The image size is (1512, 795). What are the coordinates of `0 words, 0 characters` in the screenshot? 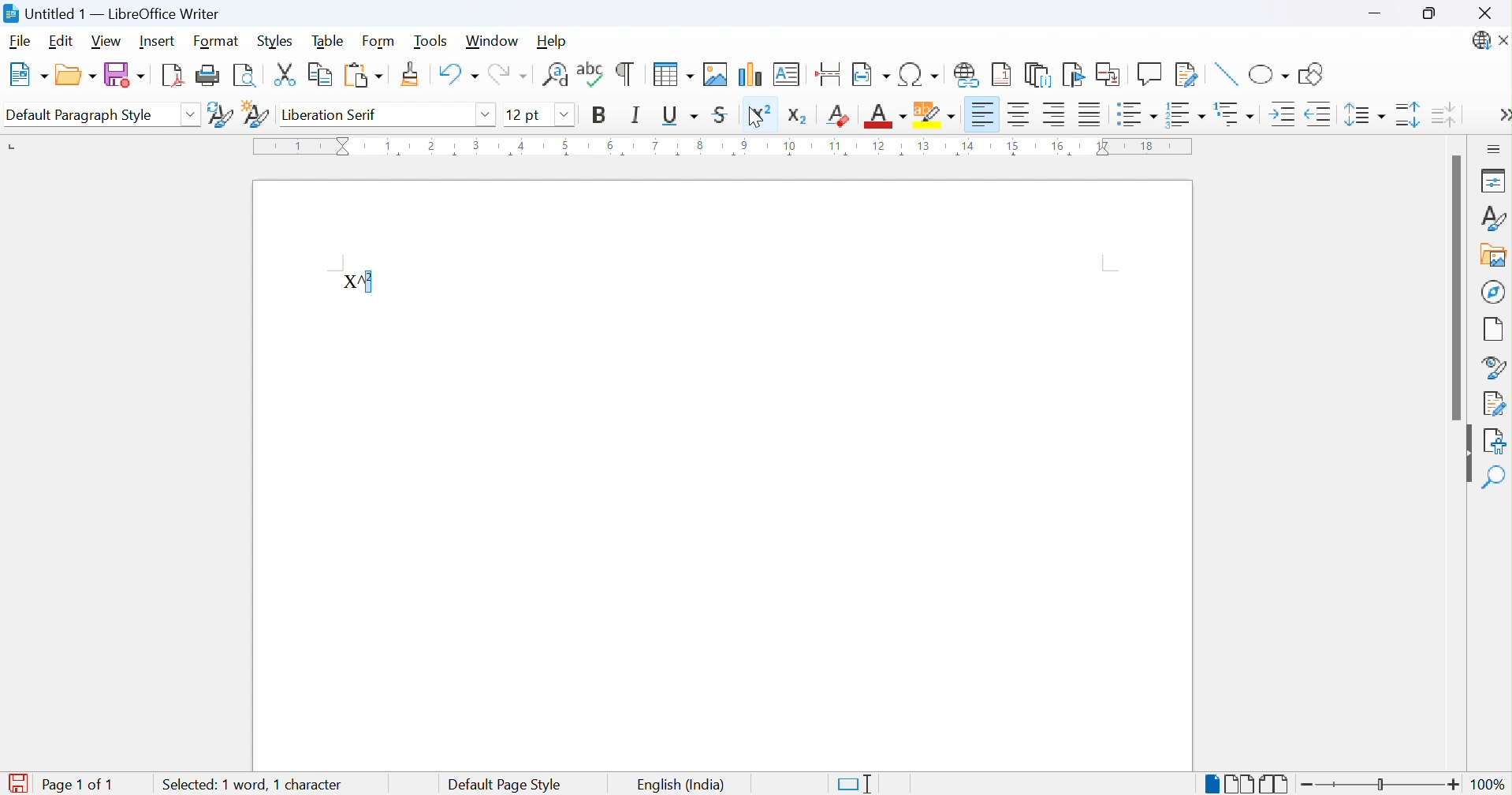 It's located at (257, 785).